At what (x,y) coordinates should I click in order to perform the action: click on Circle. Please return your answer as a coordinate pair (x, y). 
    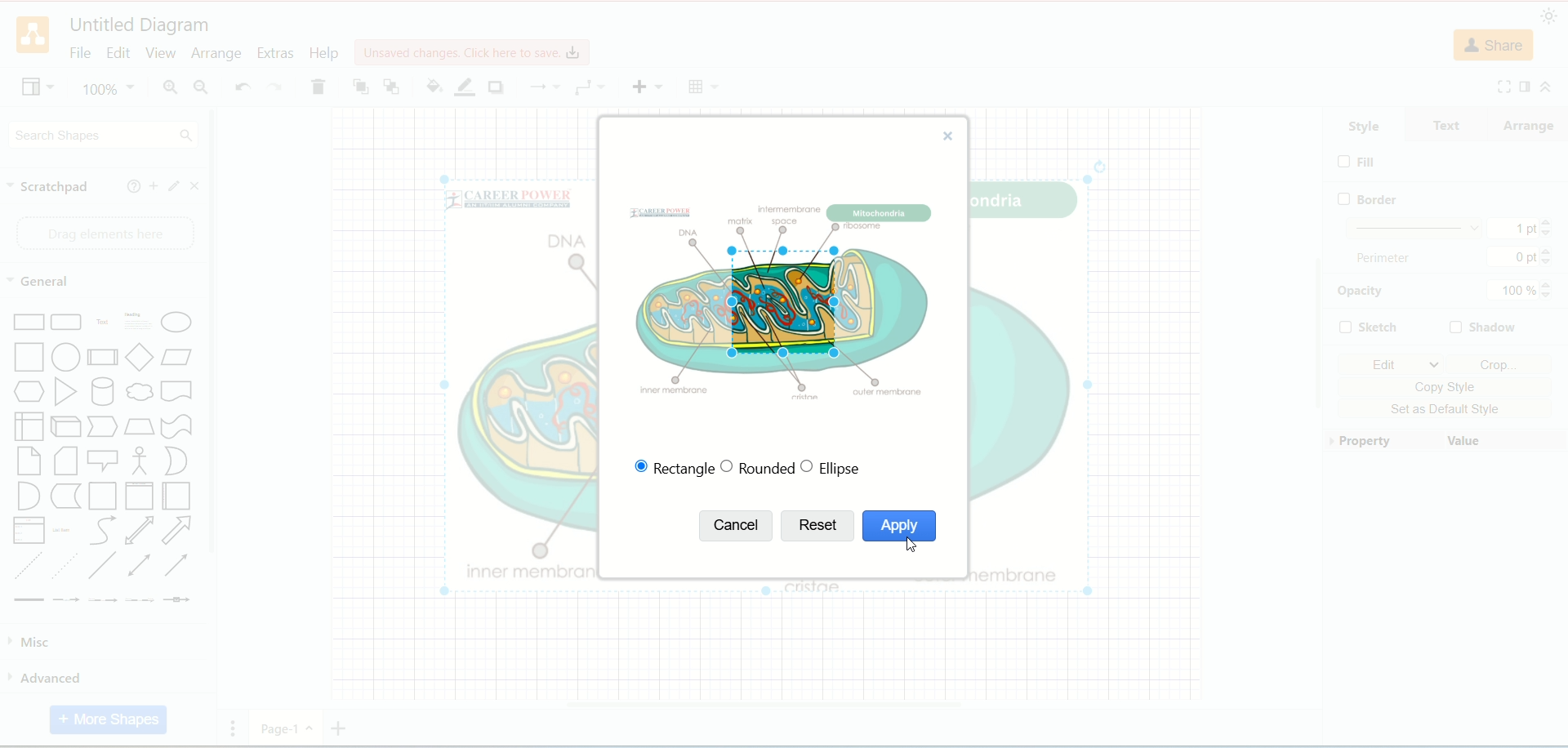
    Looking at the image, I should click on (65, 358).